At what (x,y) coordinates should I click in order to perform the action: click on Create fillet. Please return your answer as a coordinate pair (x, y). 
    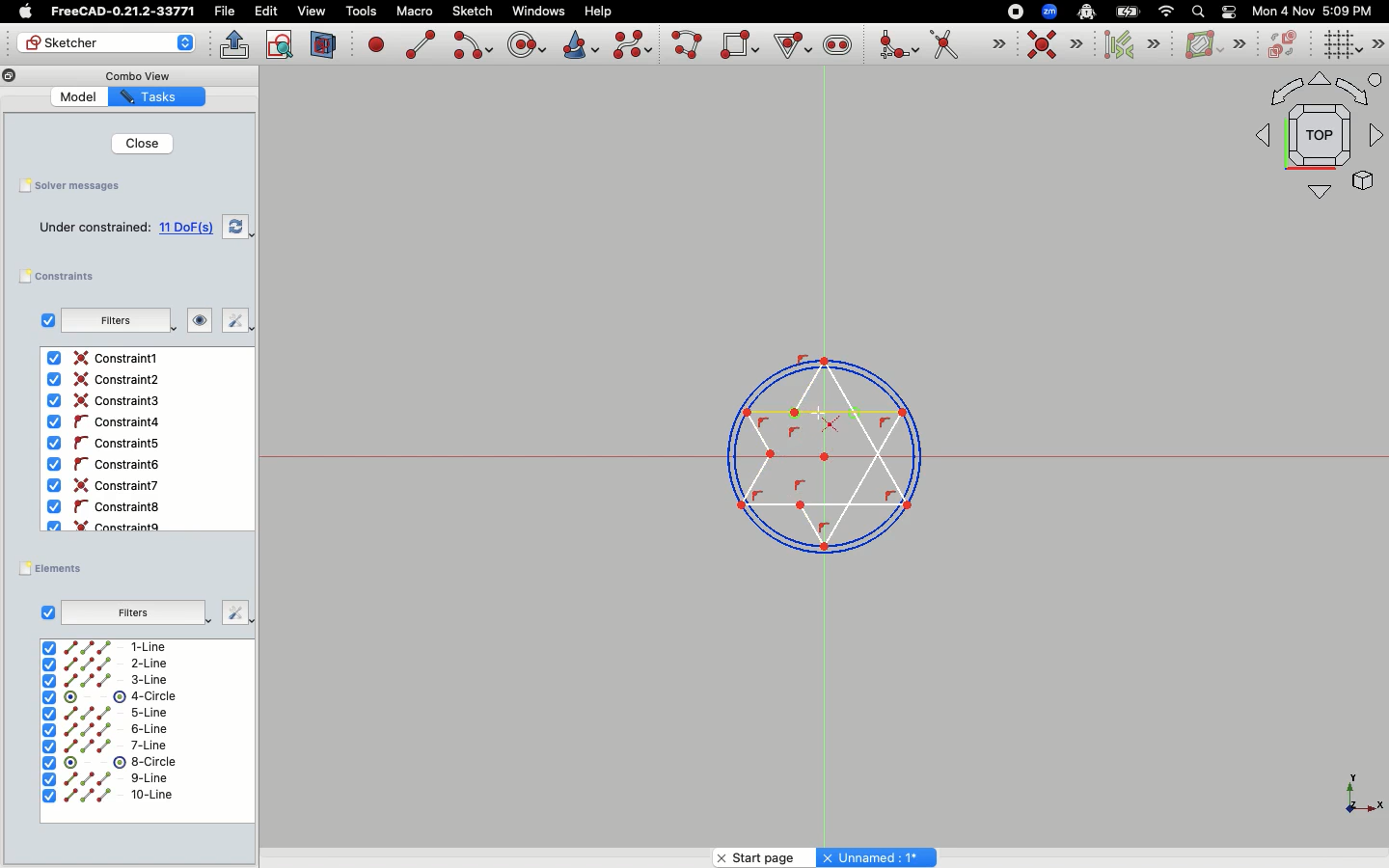
    Looking at the image, I should click on (897, 46).